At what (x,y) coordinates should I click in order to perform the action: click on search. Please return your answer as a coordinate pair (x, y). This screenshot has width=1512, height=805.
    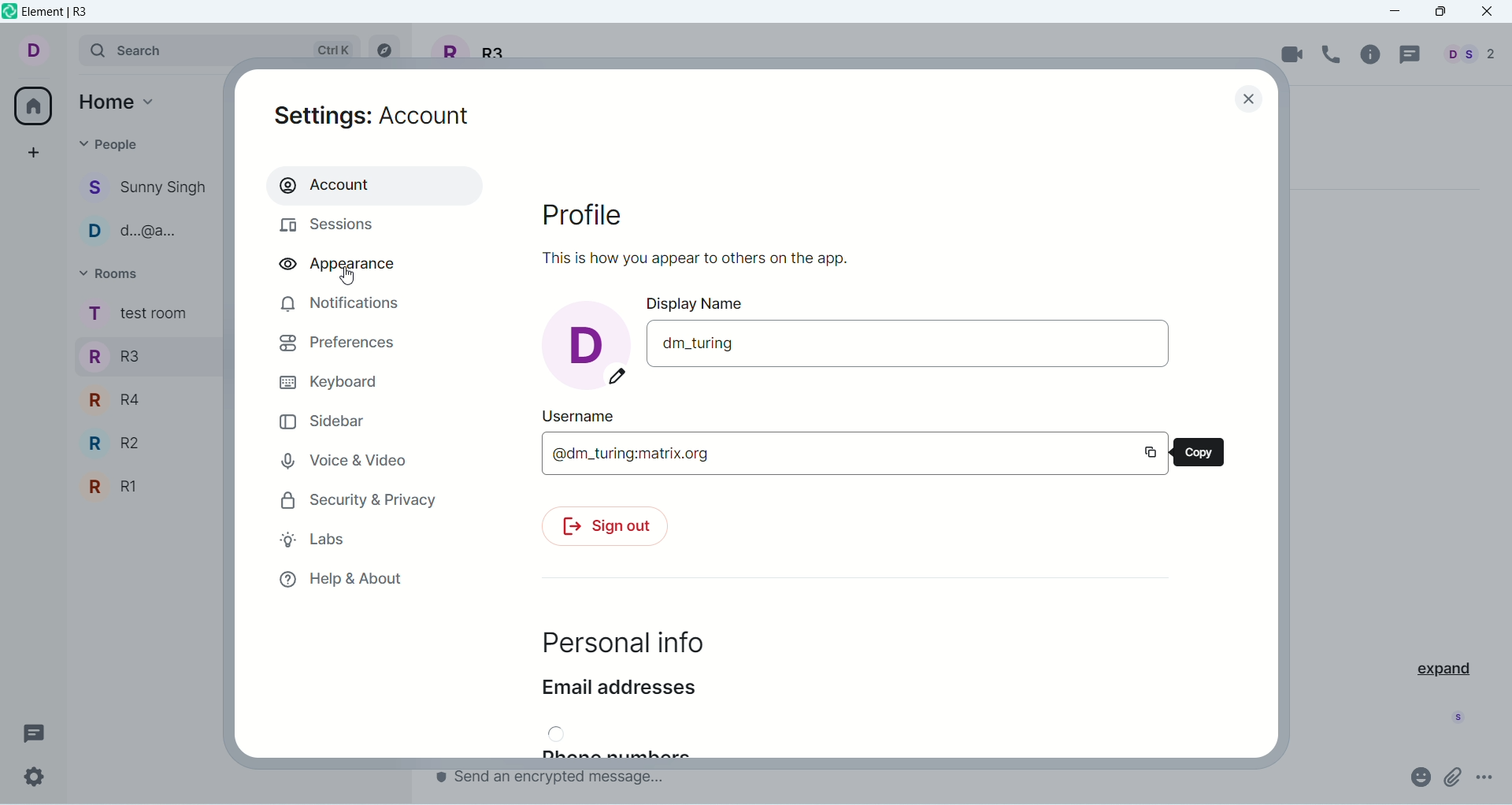
    Looking at the image, I should click on (221, 50).